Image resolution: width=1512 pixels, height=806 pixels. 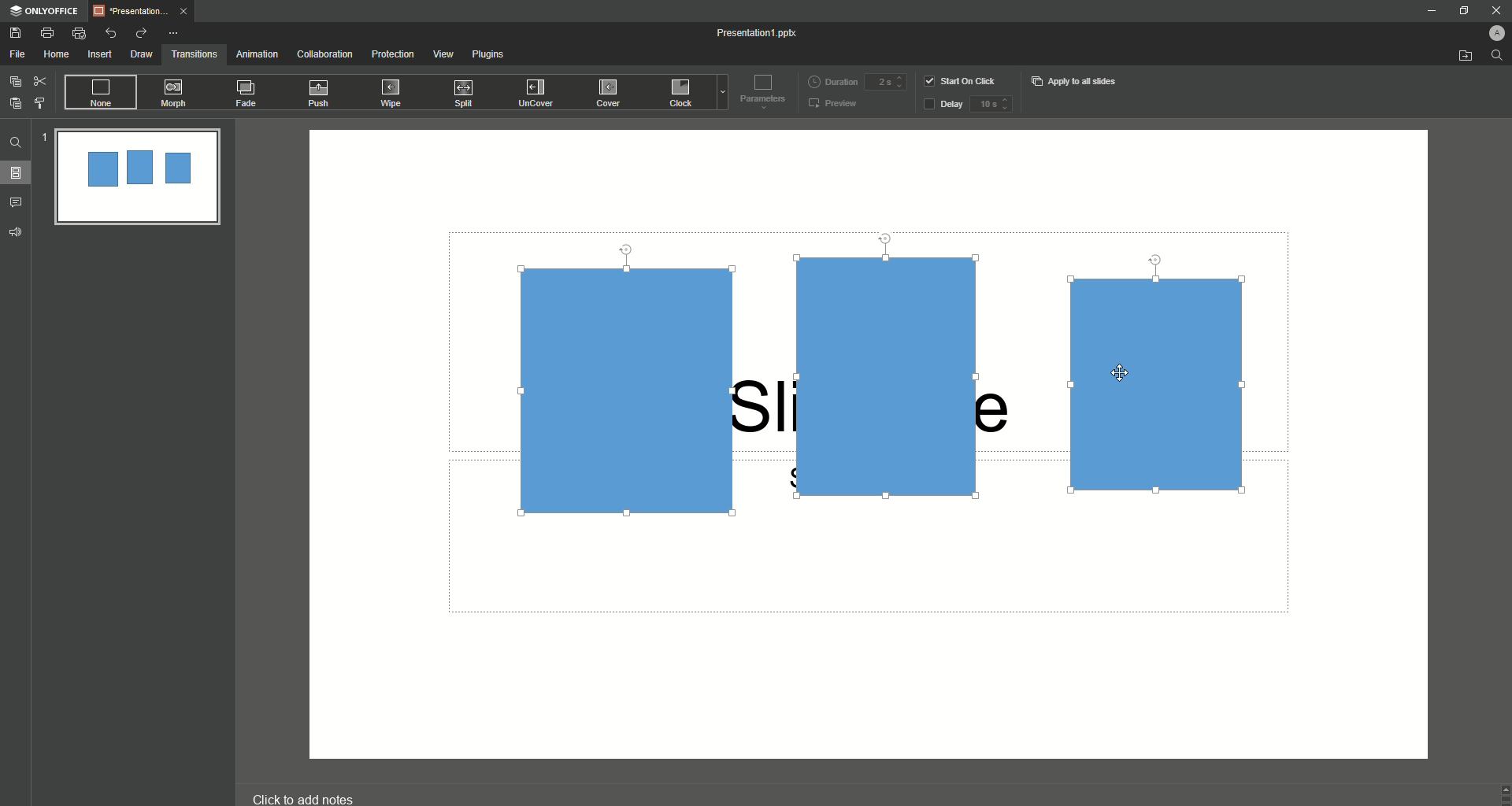 I want to click on Cover, so click(x=610, y=92).